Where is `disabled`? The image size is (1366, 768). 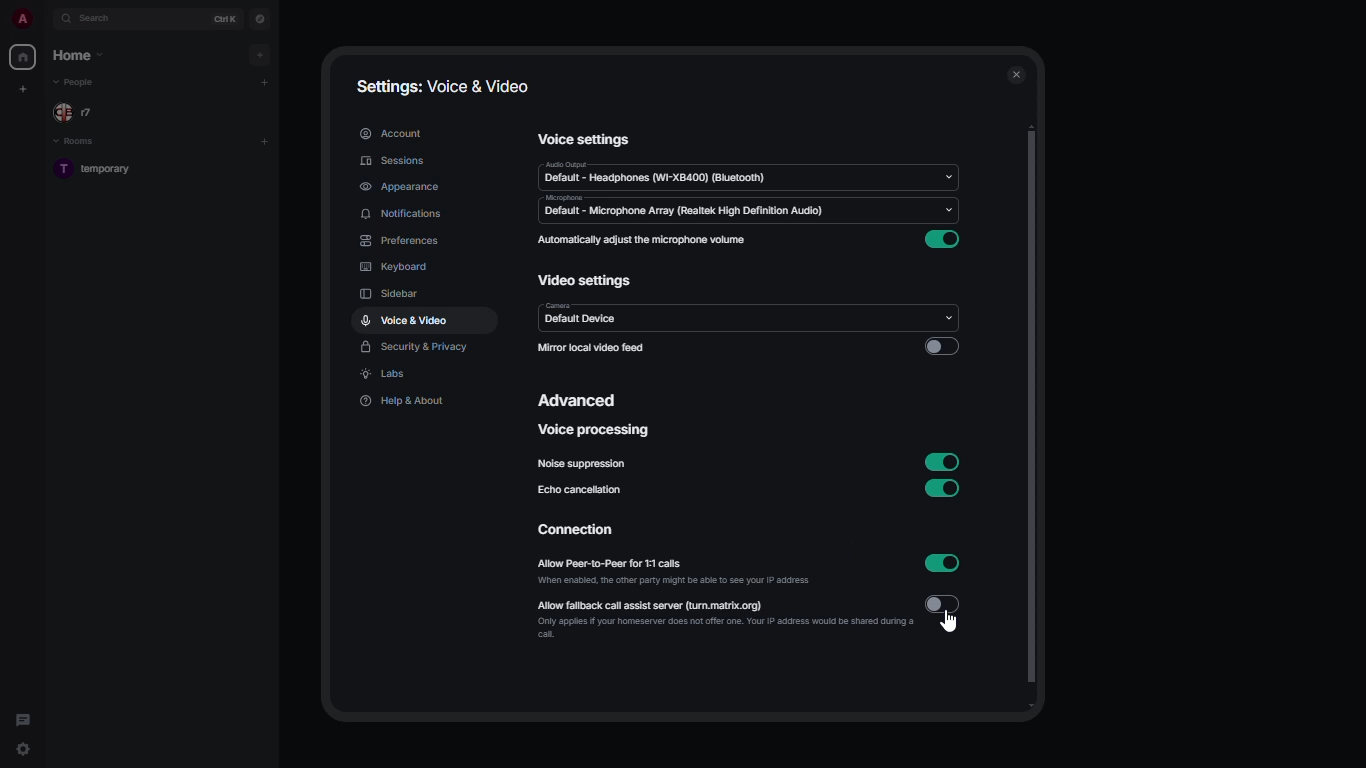 disabled is located at coordinates (943, 604).